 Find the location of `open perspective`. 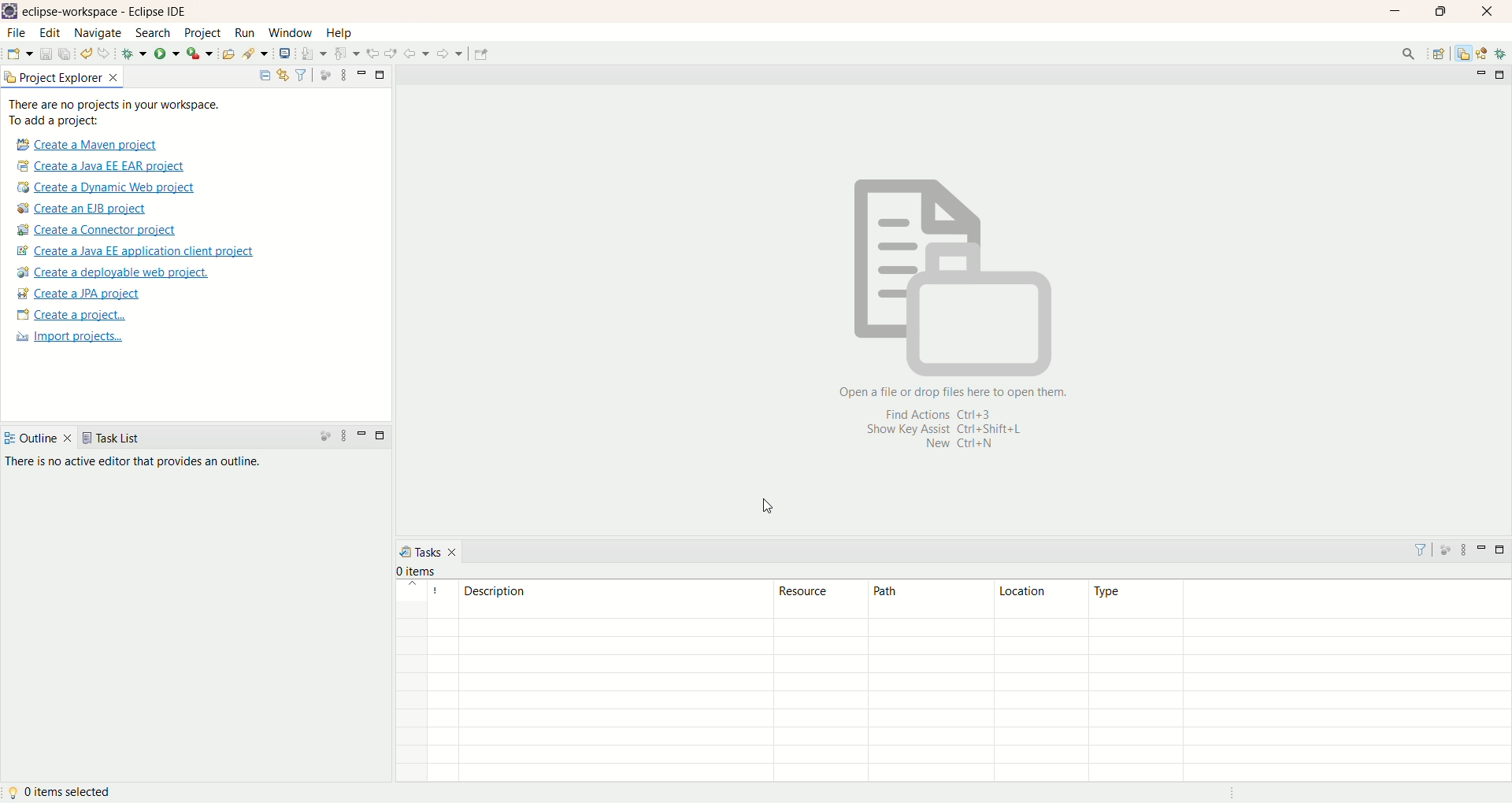

open perspective is located at coordinates (1439, 54).